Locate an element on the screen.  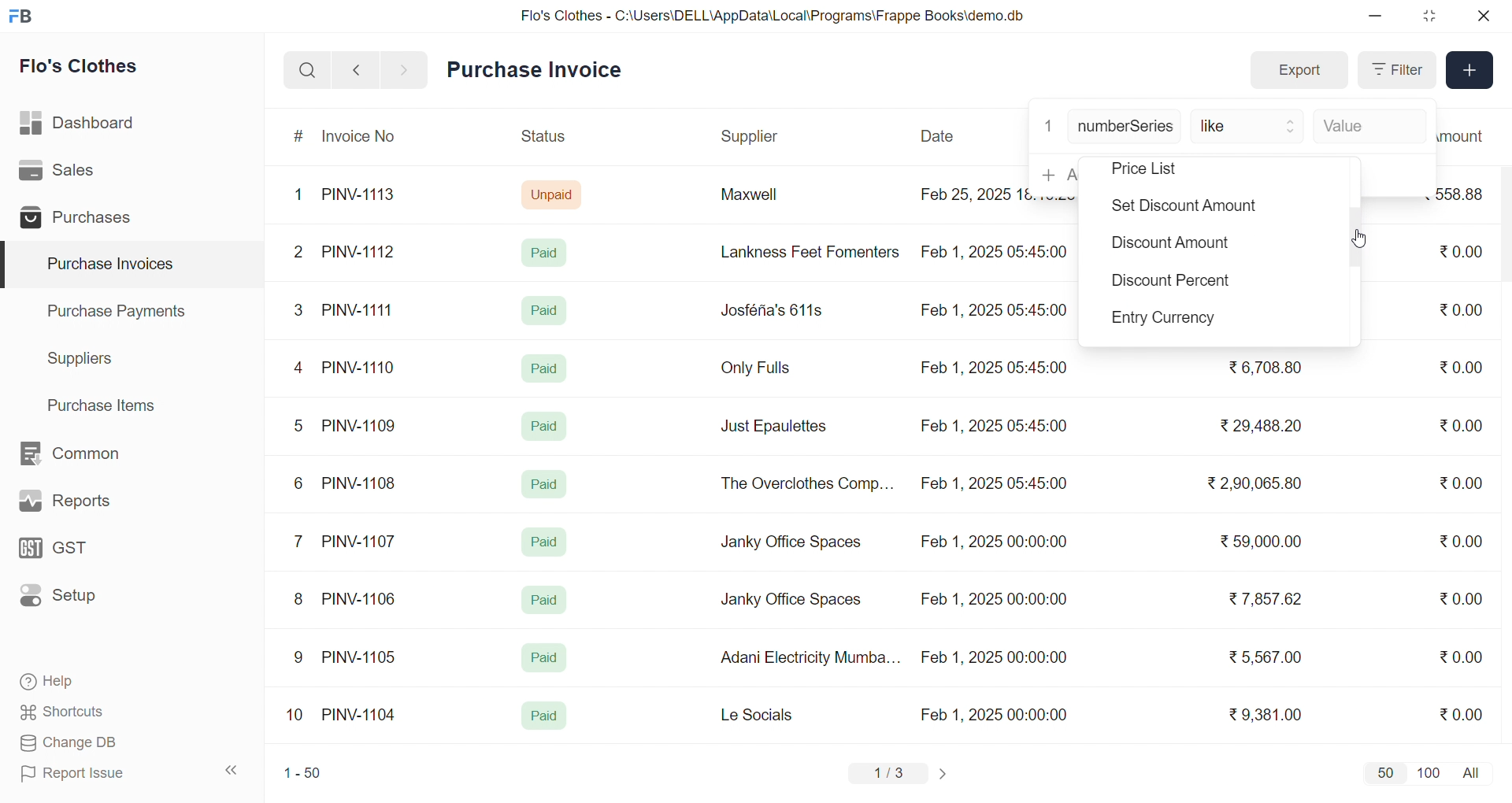
9 is located at coordinates (299, 657).